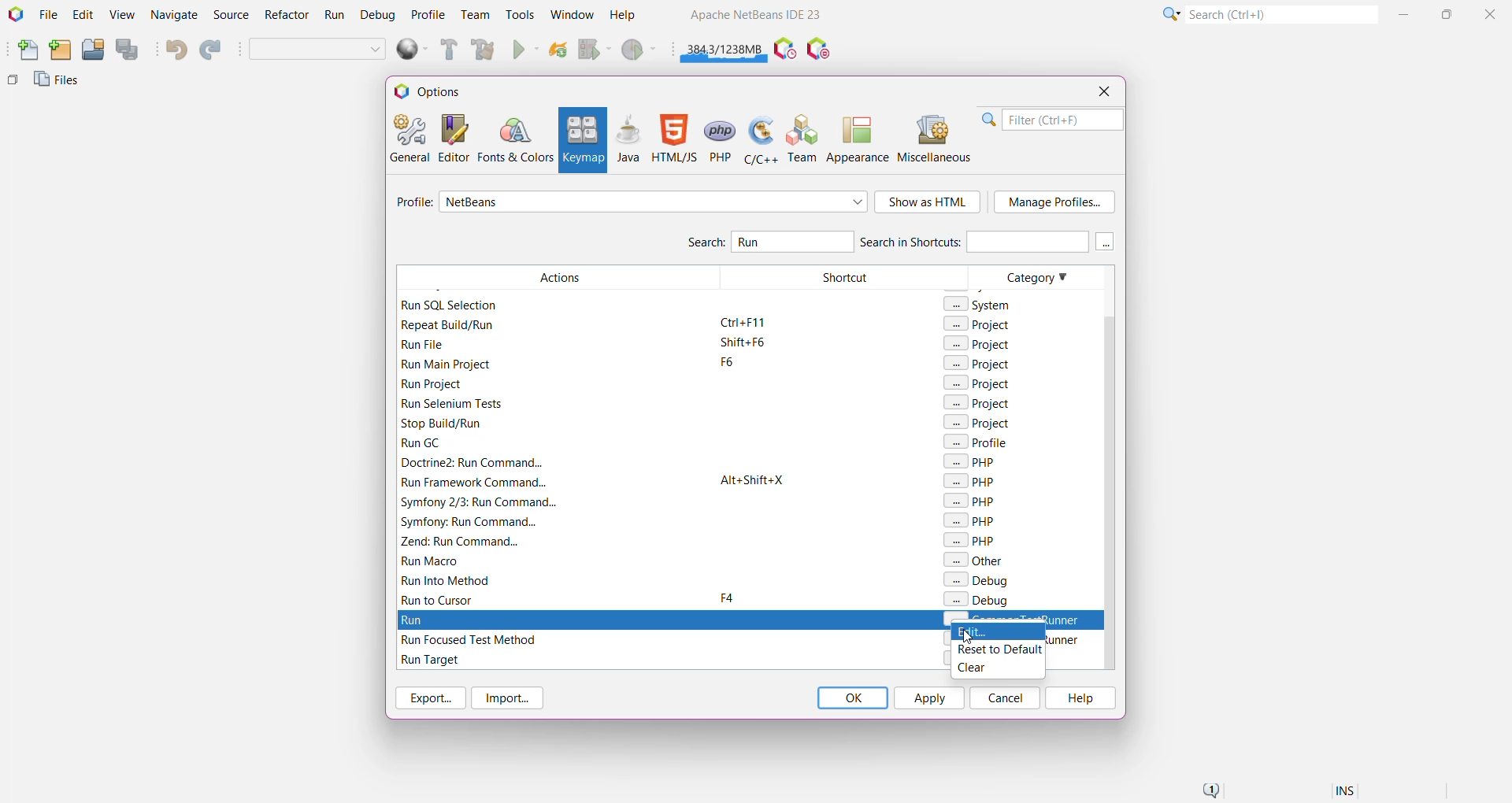 The height and width of the screenshot is (803, 1512). What do you see at coordinates (999, 635) in the screenshot?
I see `Edit` at bounding box center [999, 635].